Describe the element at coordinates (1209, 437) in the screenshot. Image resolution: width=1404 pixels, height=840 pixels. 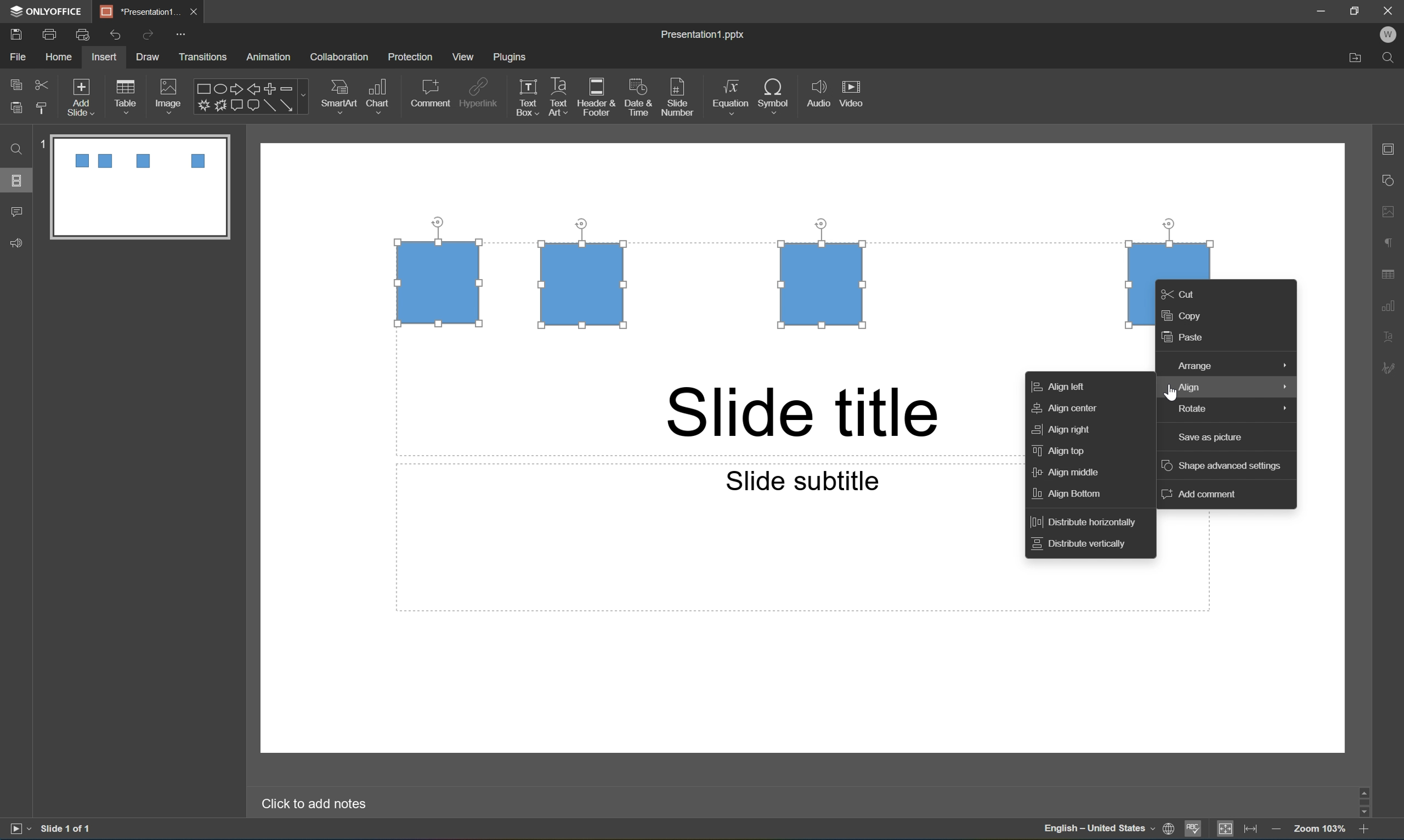
I see `save as picture` at that location.